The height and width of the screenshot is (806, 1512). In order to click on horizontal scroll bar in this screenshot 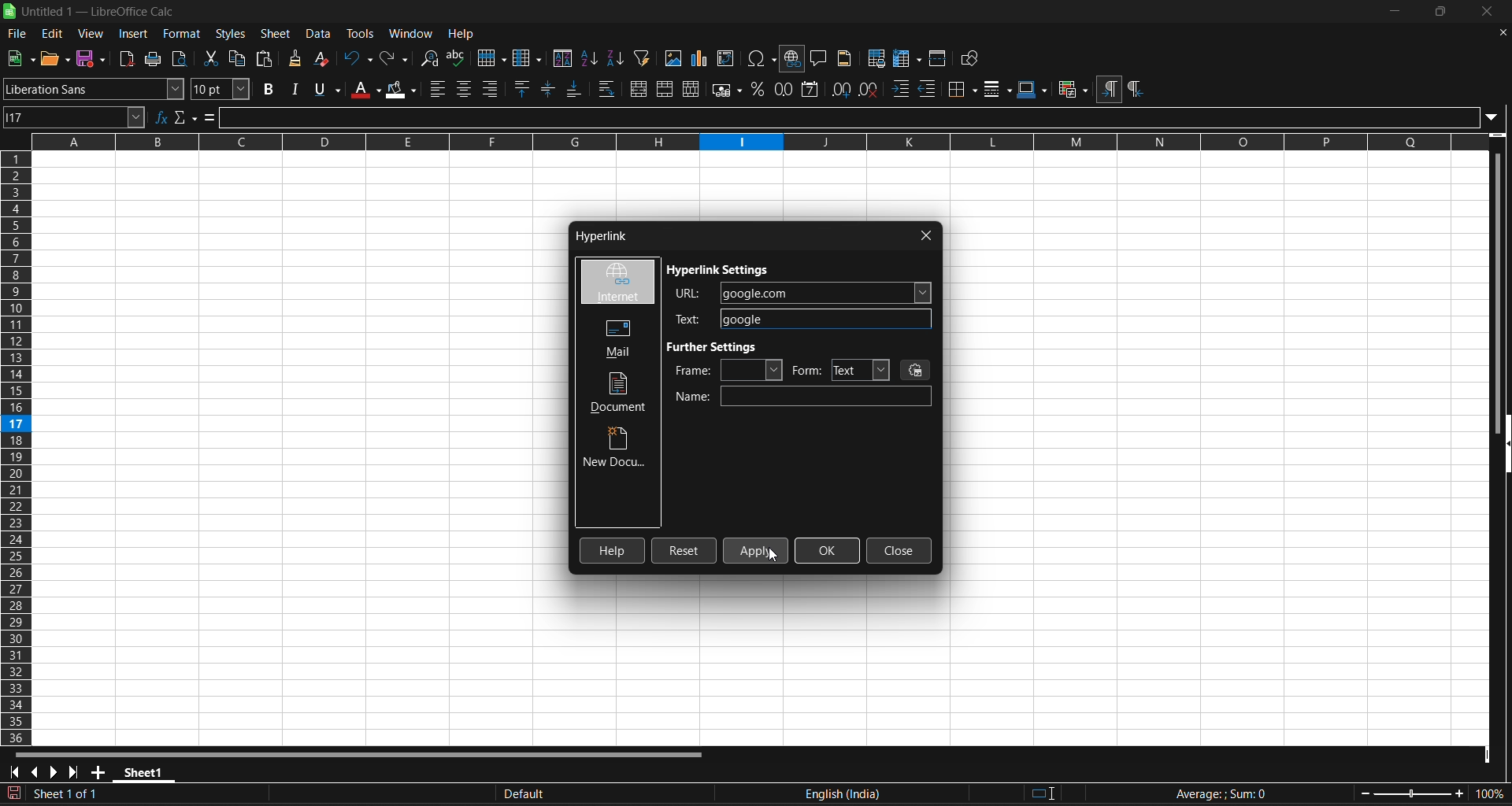, I will do `click(370, 753)`.